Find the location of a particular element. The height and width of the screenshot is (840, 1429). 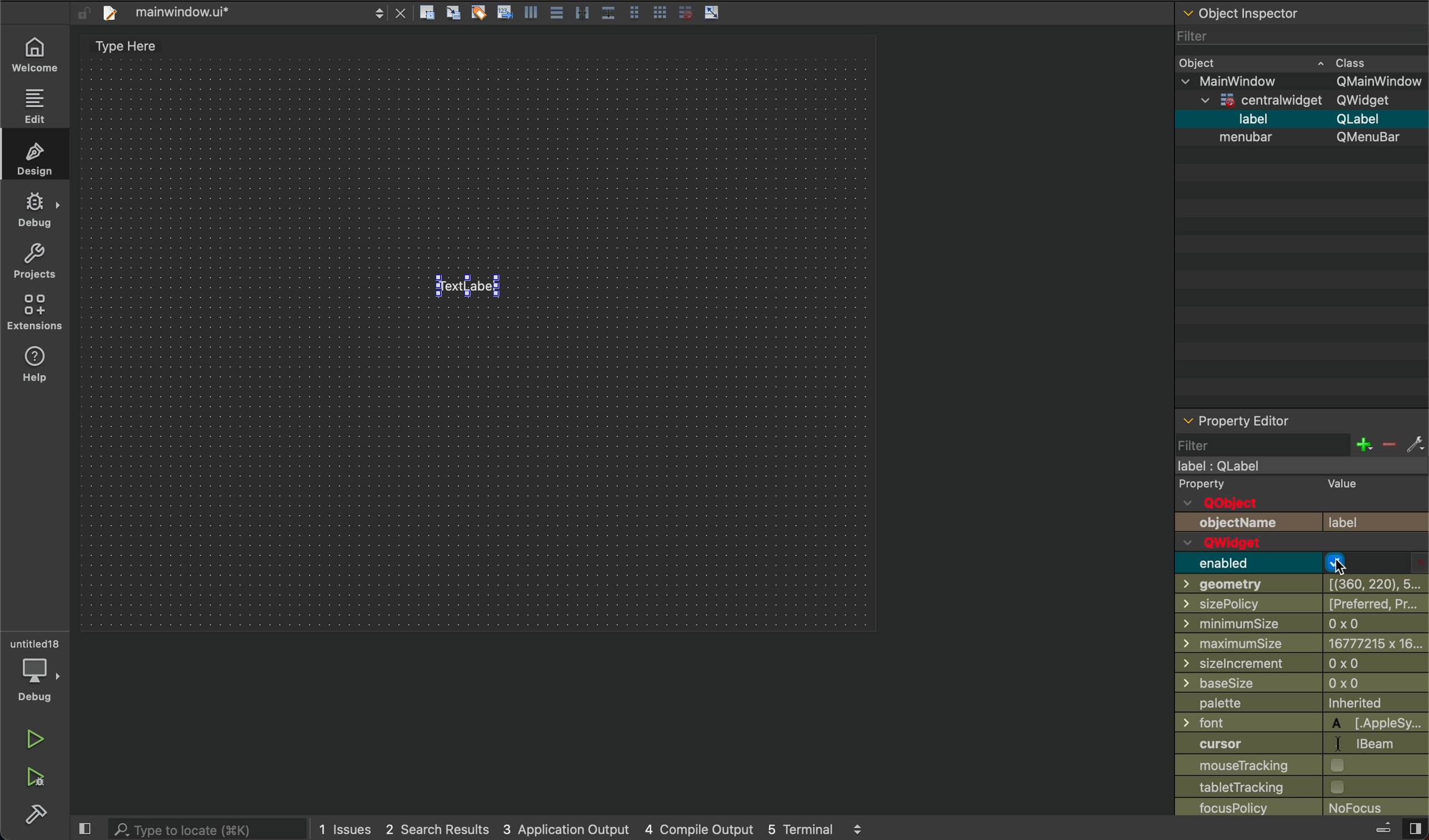

run is located at coordinates (35, 736).